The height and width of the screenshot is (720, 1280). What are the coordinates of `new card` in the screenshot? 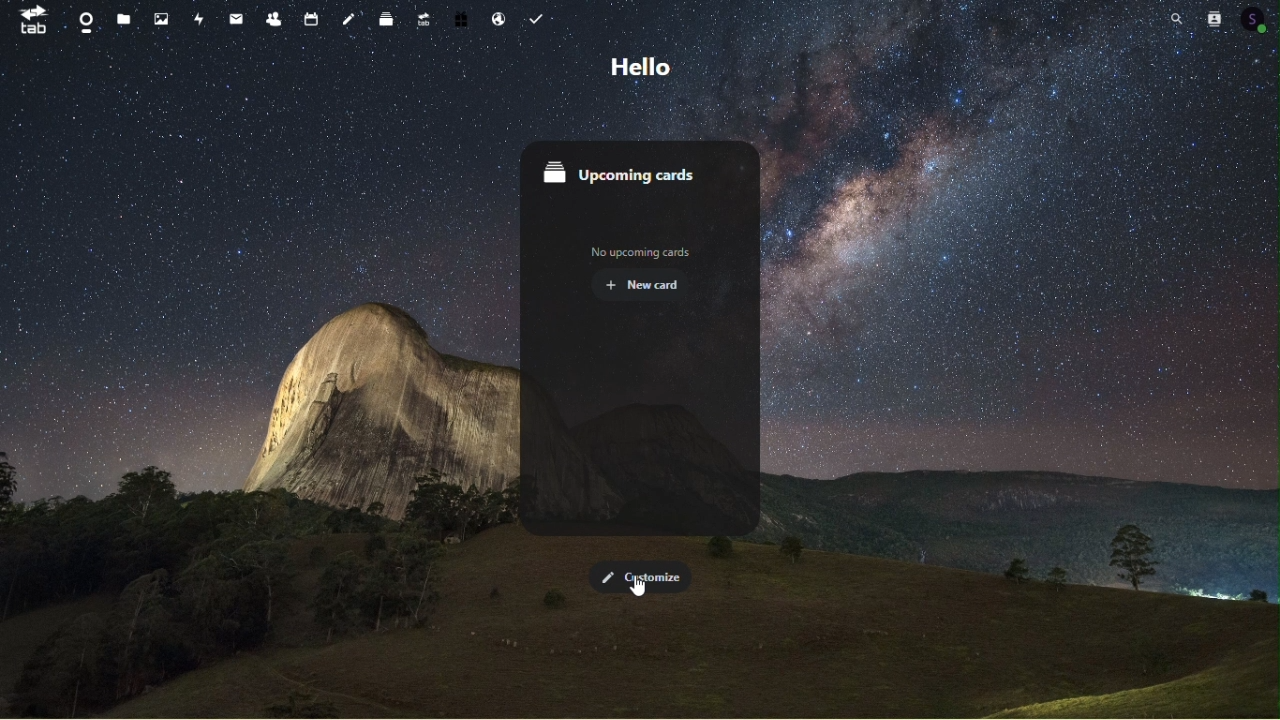 It's located at (651, 287).